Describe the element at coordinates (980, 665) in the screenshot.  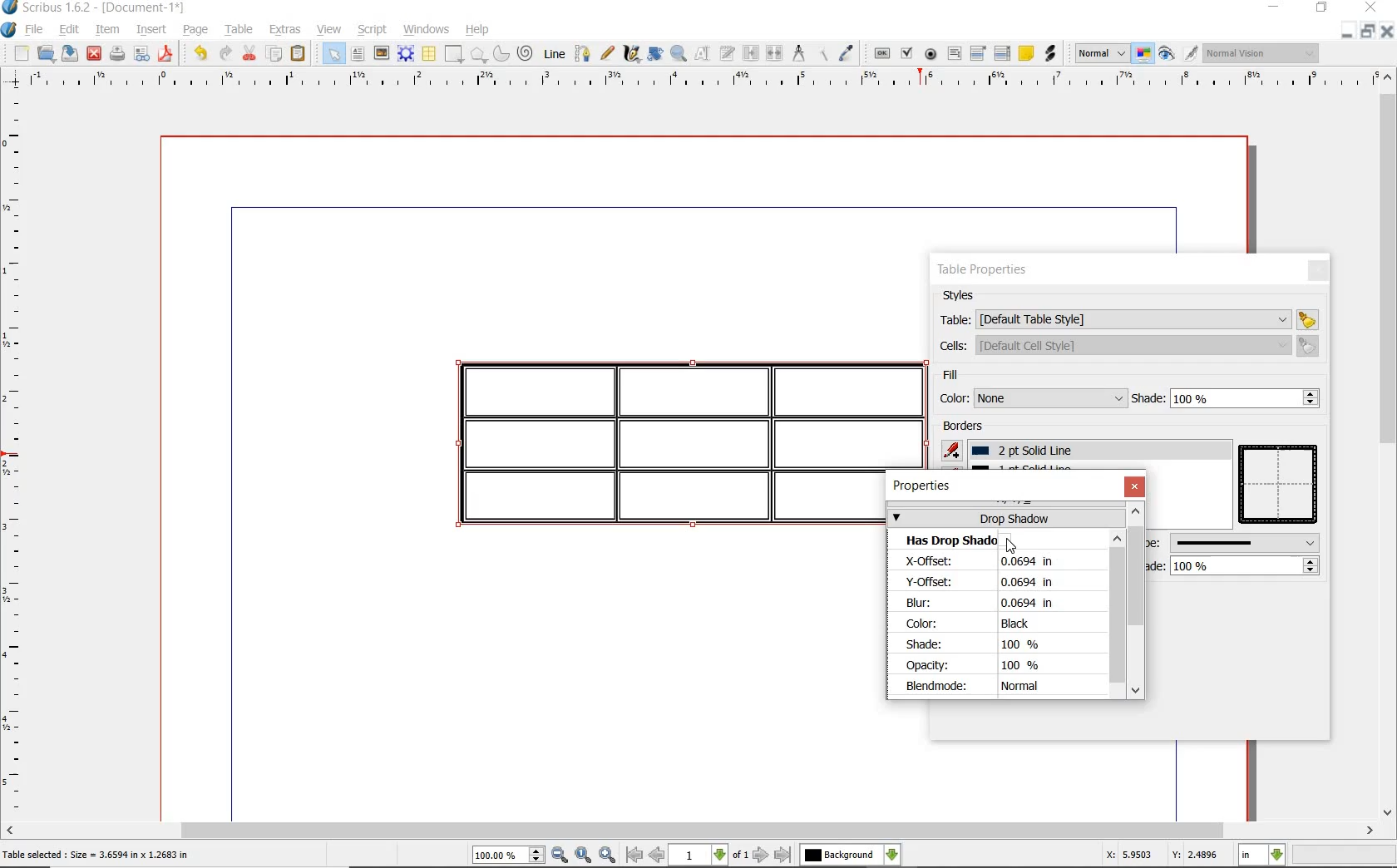
I see `Opacity: 100%` at that location.